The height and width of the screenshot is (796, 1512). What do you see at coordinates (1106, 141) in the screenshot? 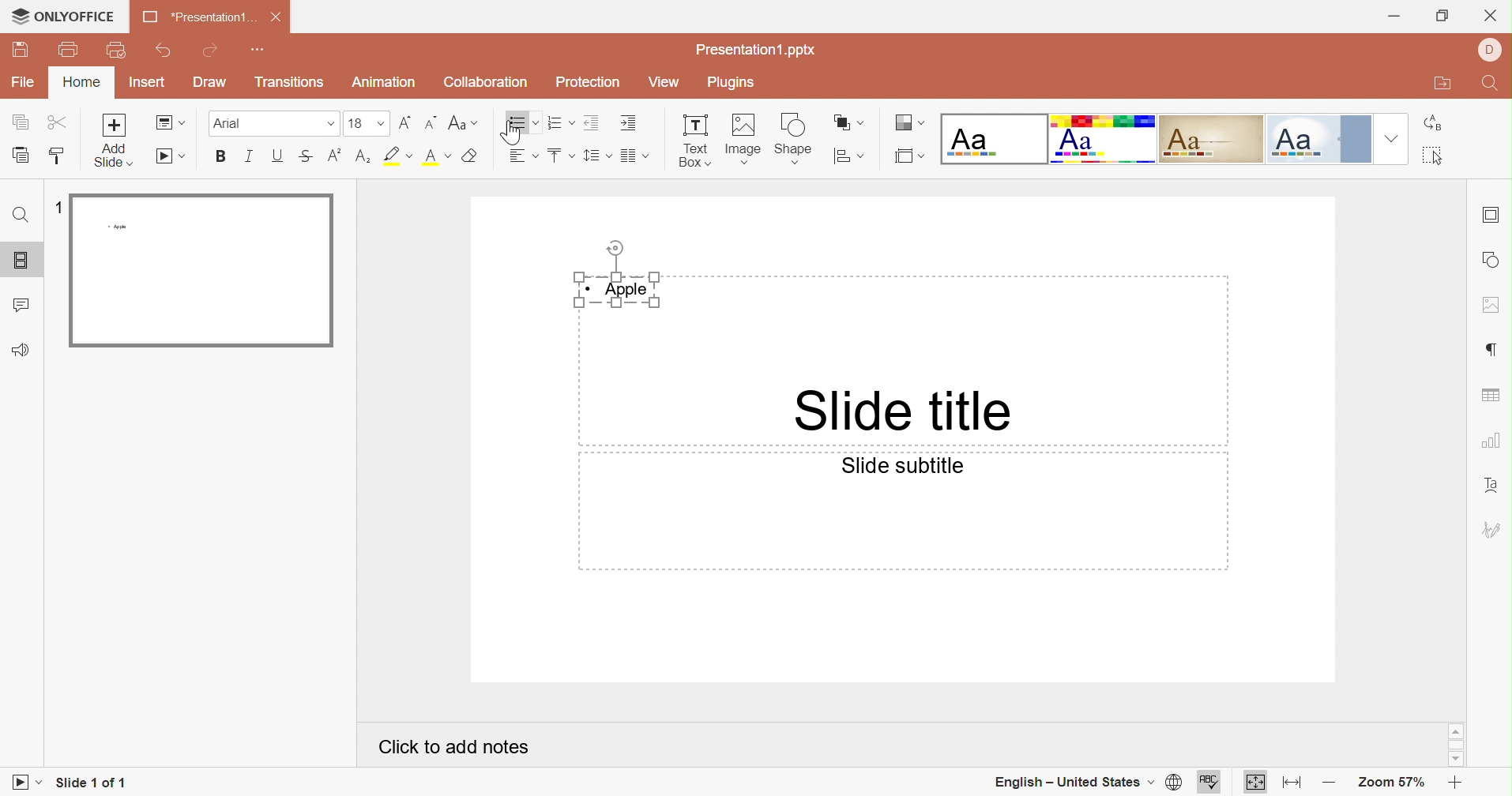
I see `Basic` at bounding box center [1106, 141].